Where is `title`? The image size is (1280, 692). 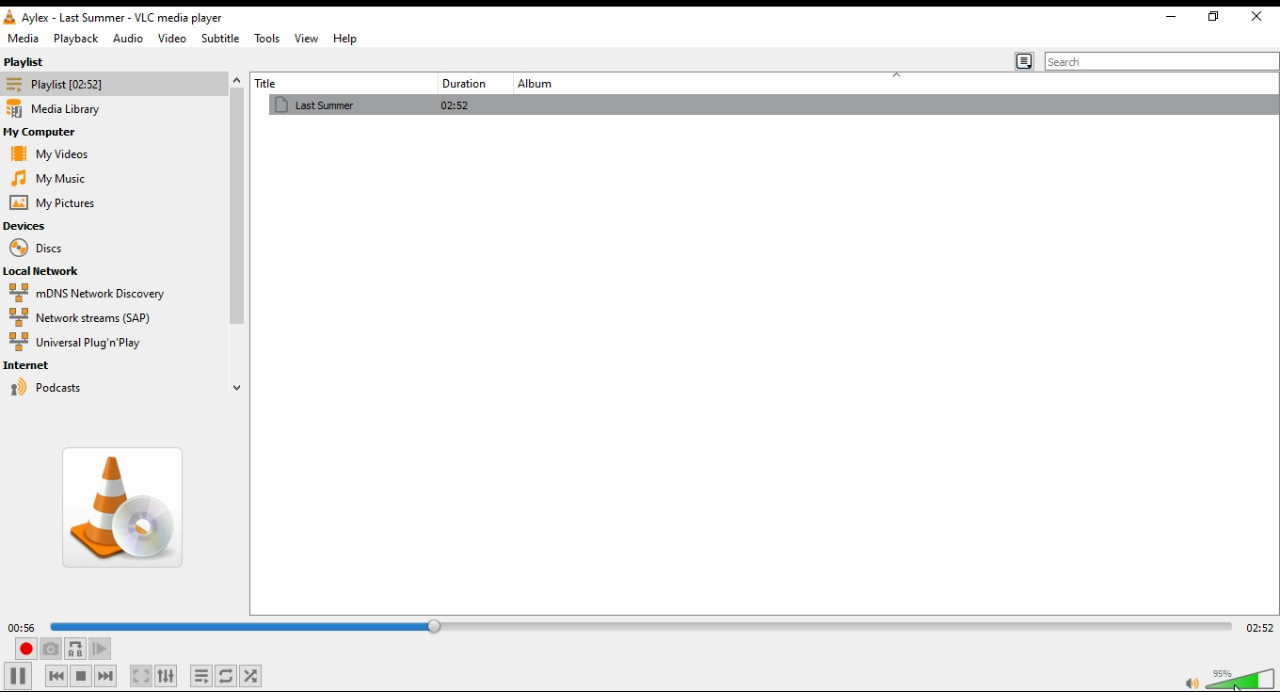 title is located at coordinates (312, 83).